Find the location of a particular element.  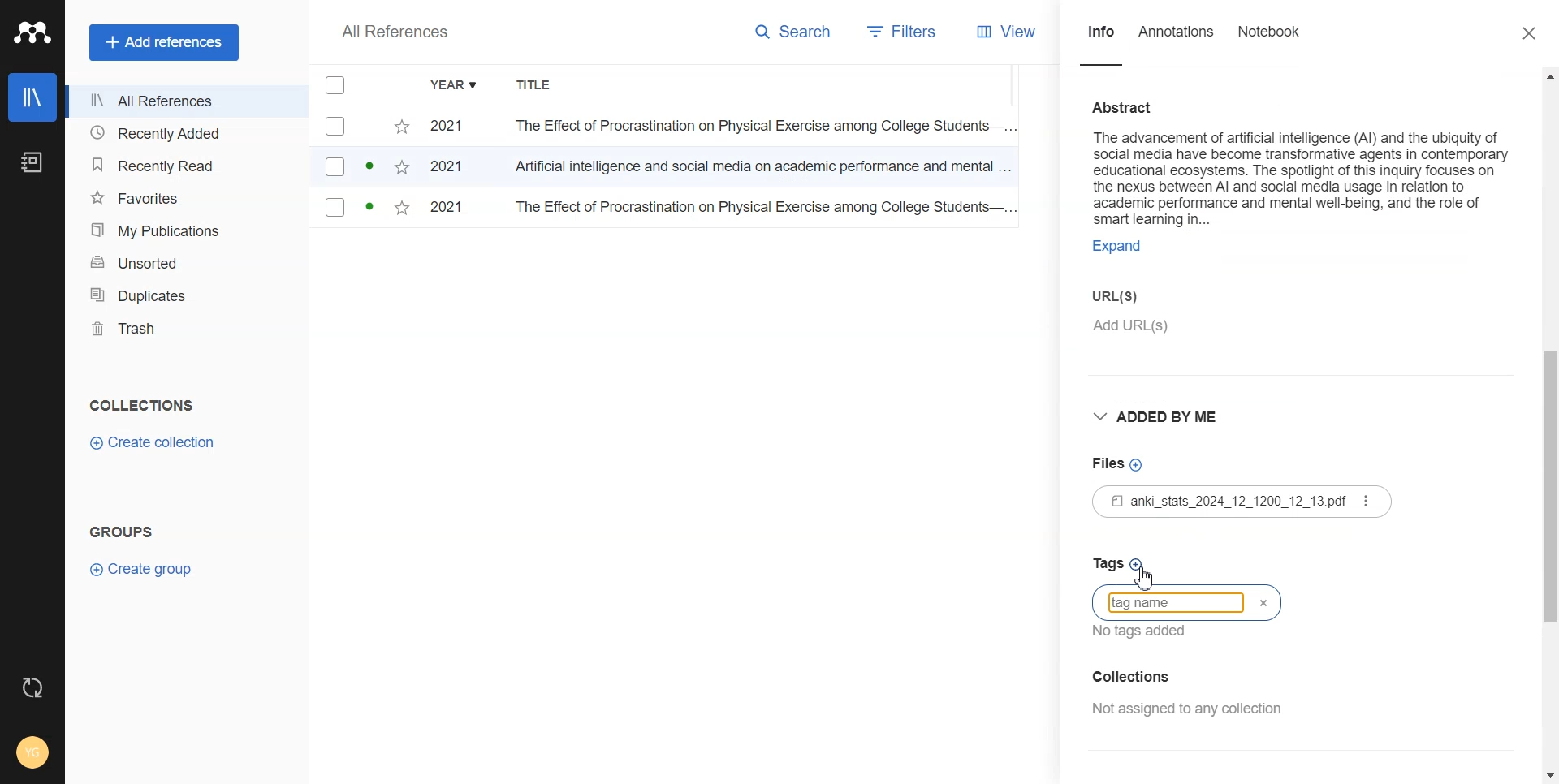

Account is located at coordinates (32, 752).